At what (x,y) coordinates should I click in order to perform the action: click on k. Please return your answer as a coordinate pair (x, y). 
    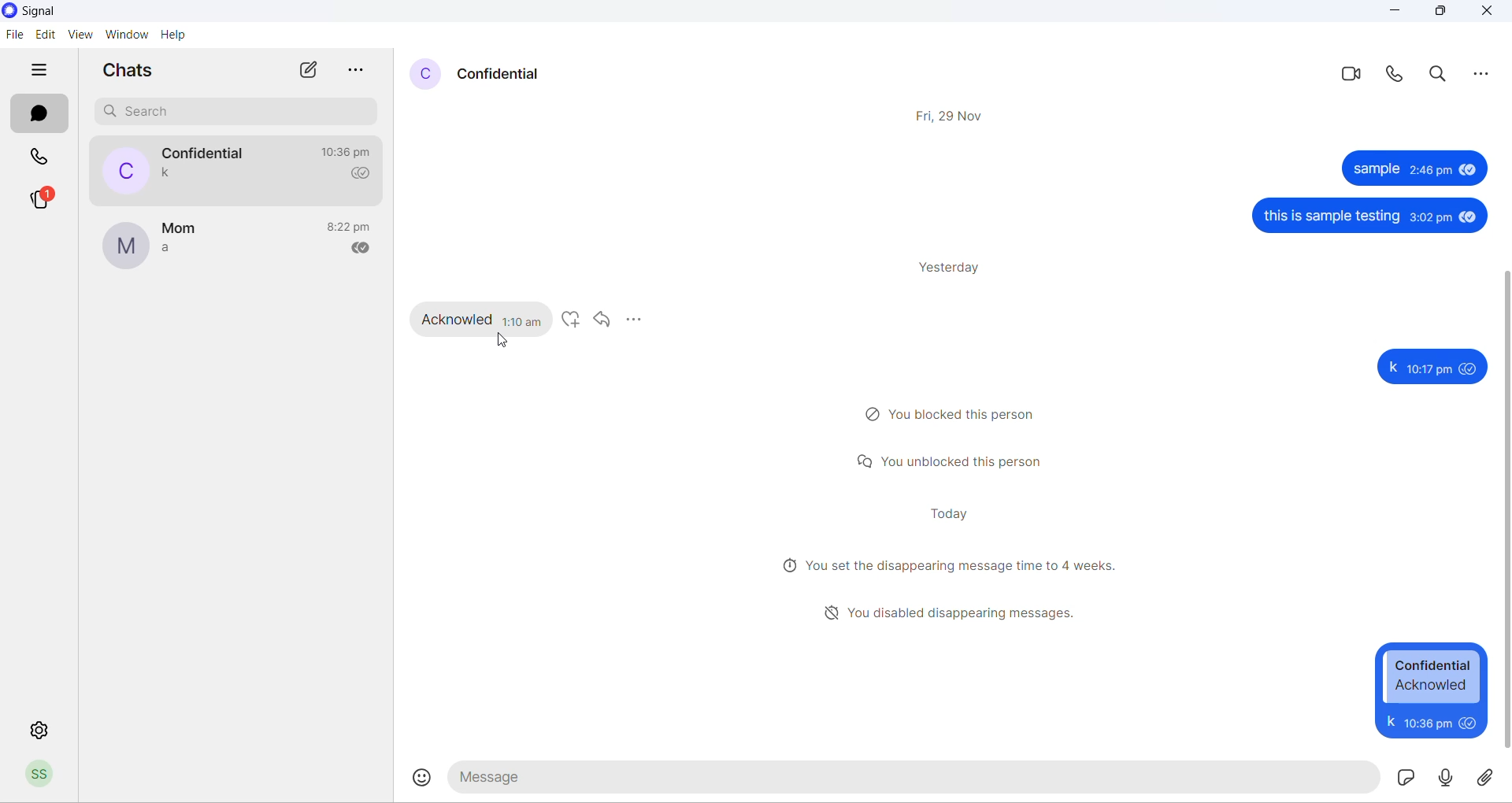
    Looking at the image, I should click on (1389, 721).